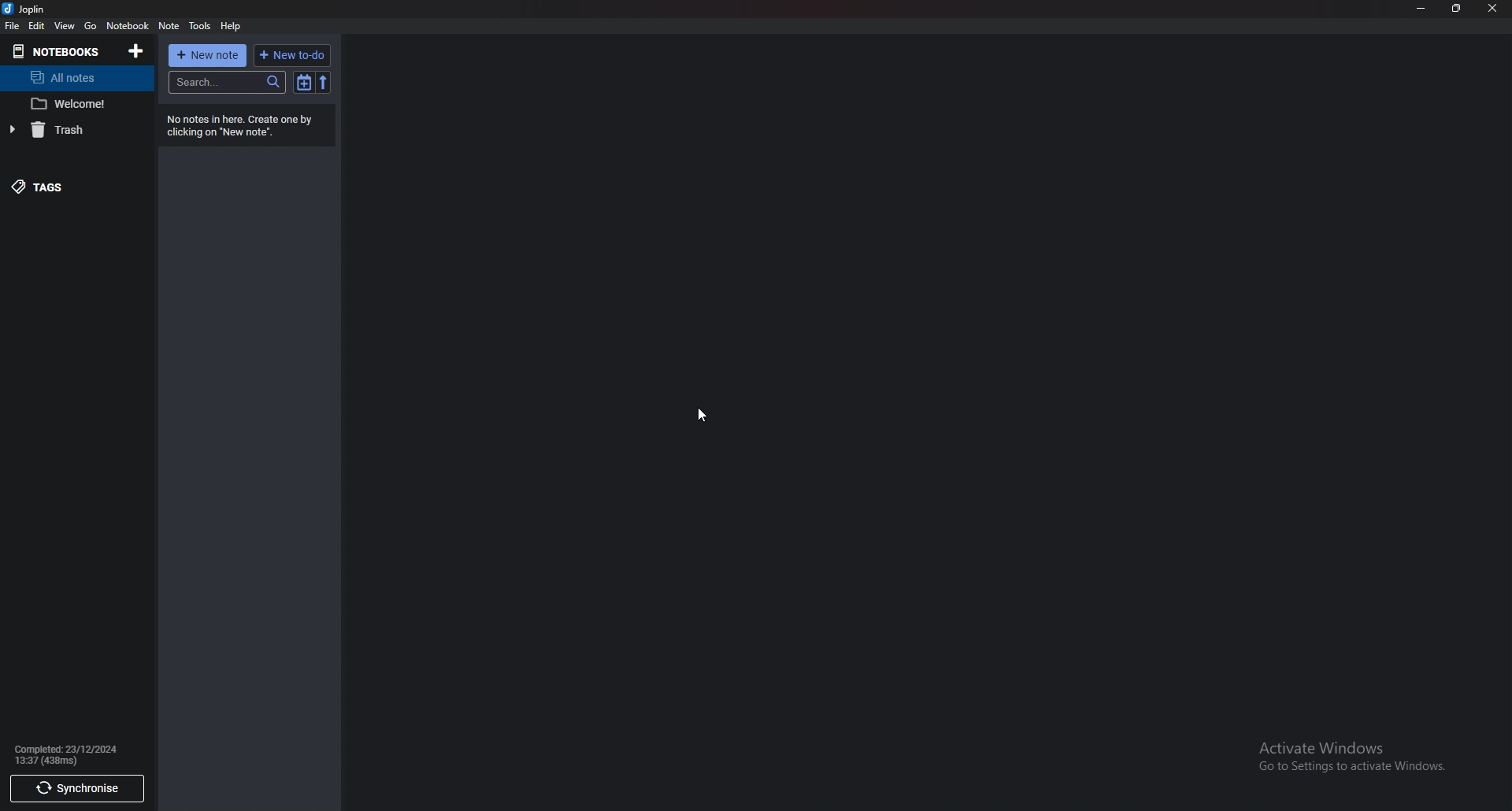  What do you see at coordinates (72, 754) in the screenshot?
I see `Info` at bounding box center [72, 754].